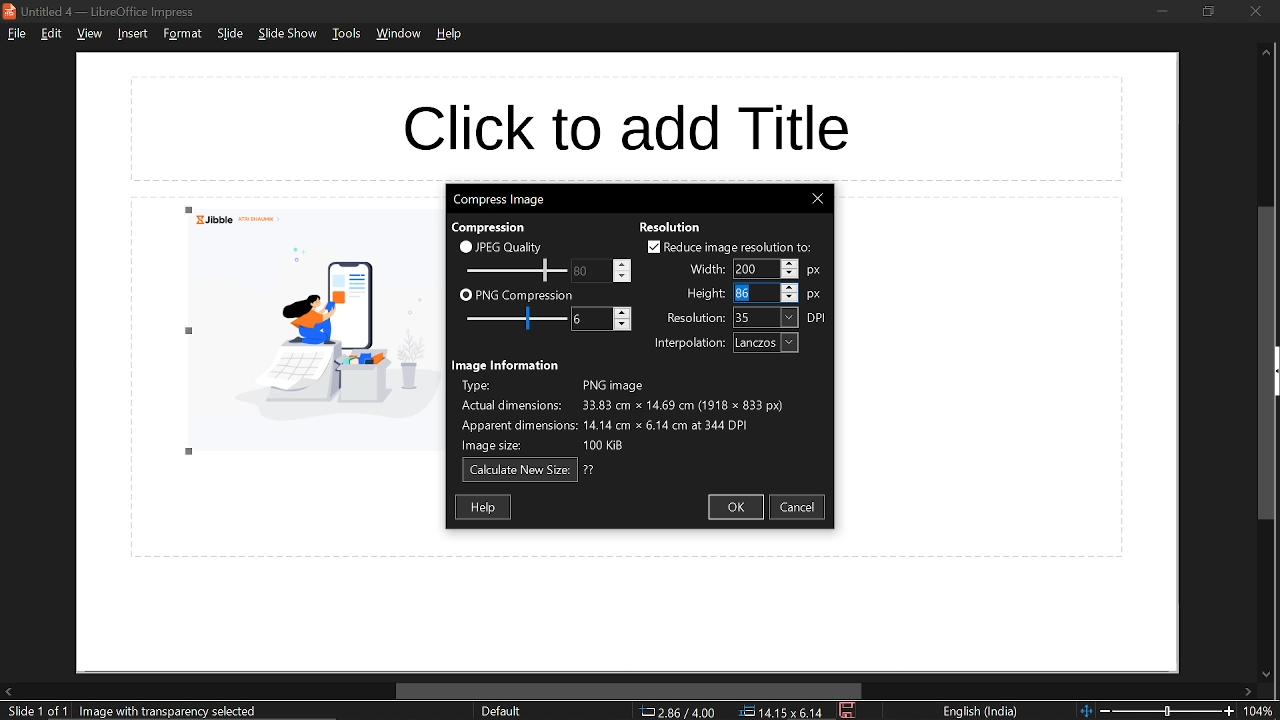 The height and width of the screenshot is (720, 1280). Describe the element at coordinates (520, 471) in the screenshot. I see `calculate new size` at that location.